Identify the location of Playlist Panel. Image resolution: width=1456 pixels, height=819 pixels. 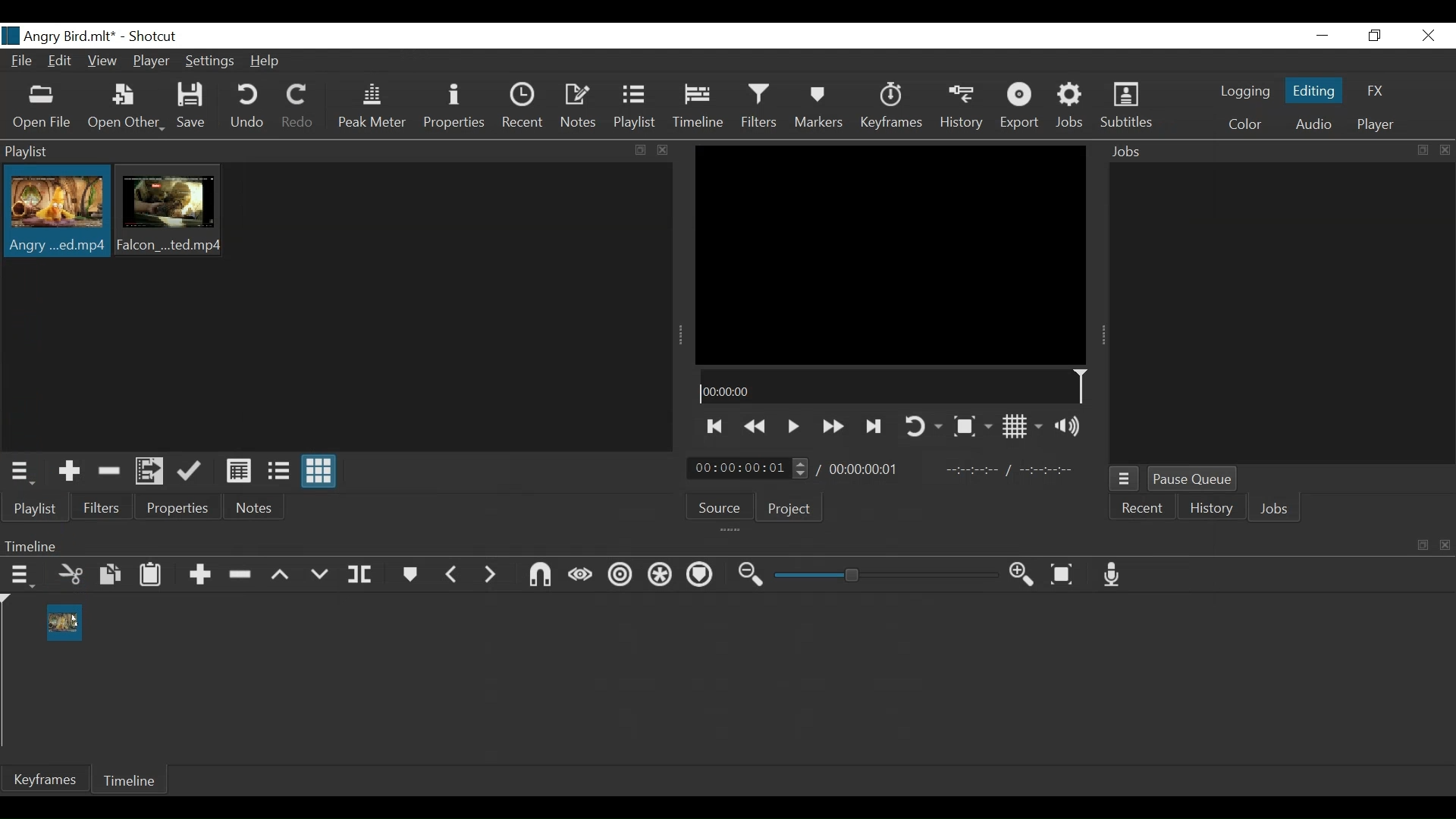
(337, 151).